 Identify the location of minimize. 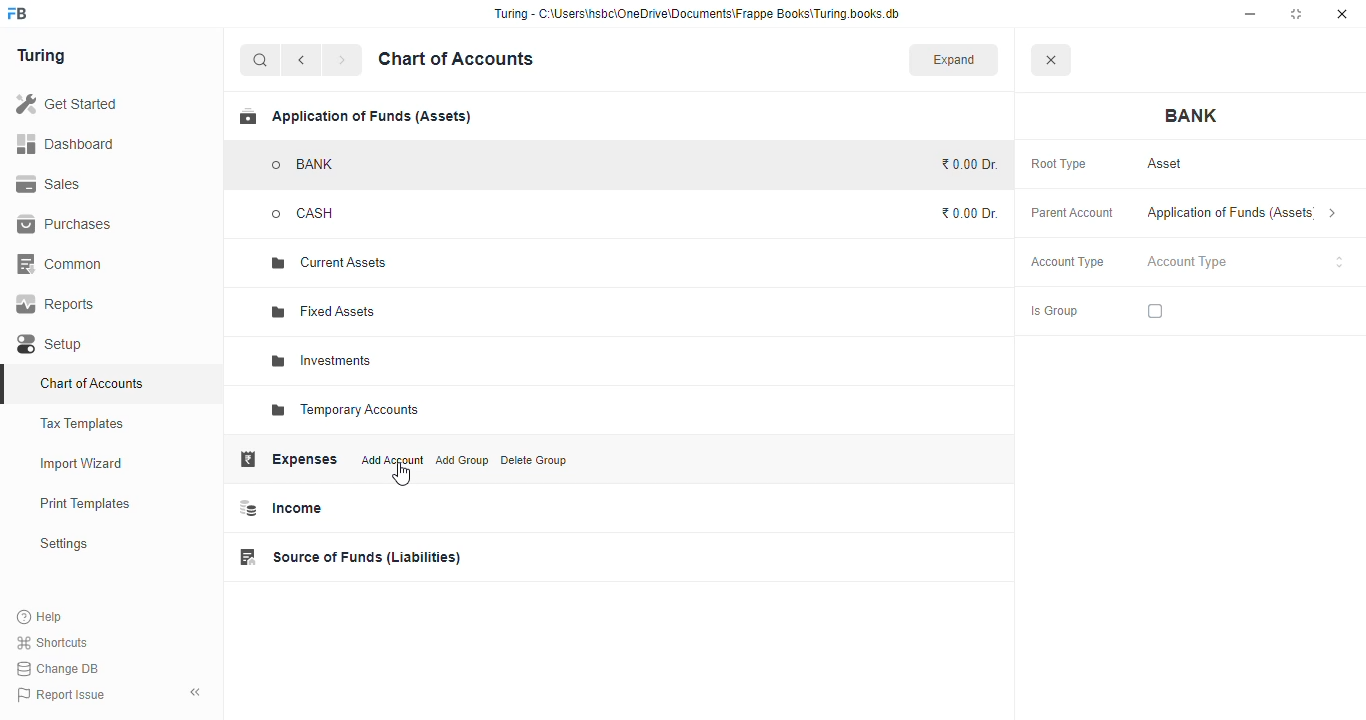
(1250, 14).